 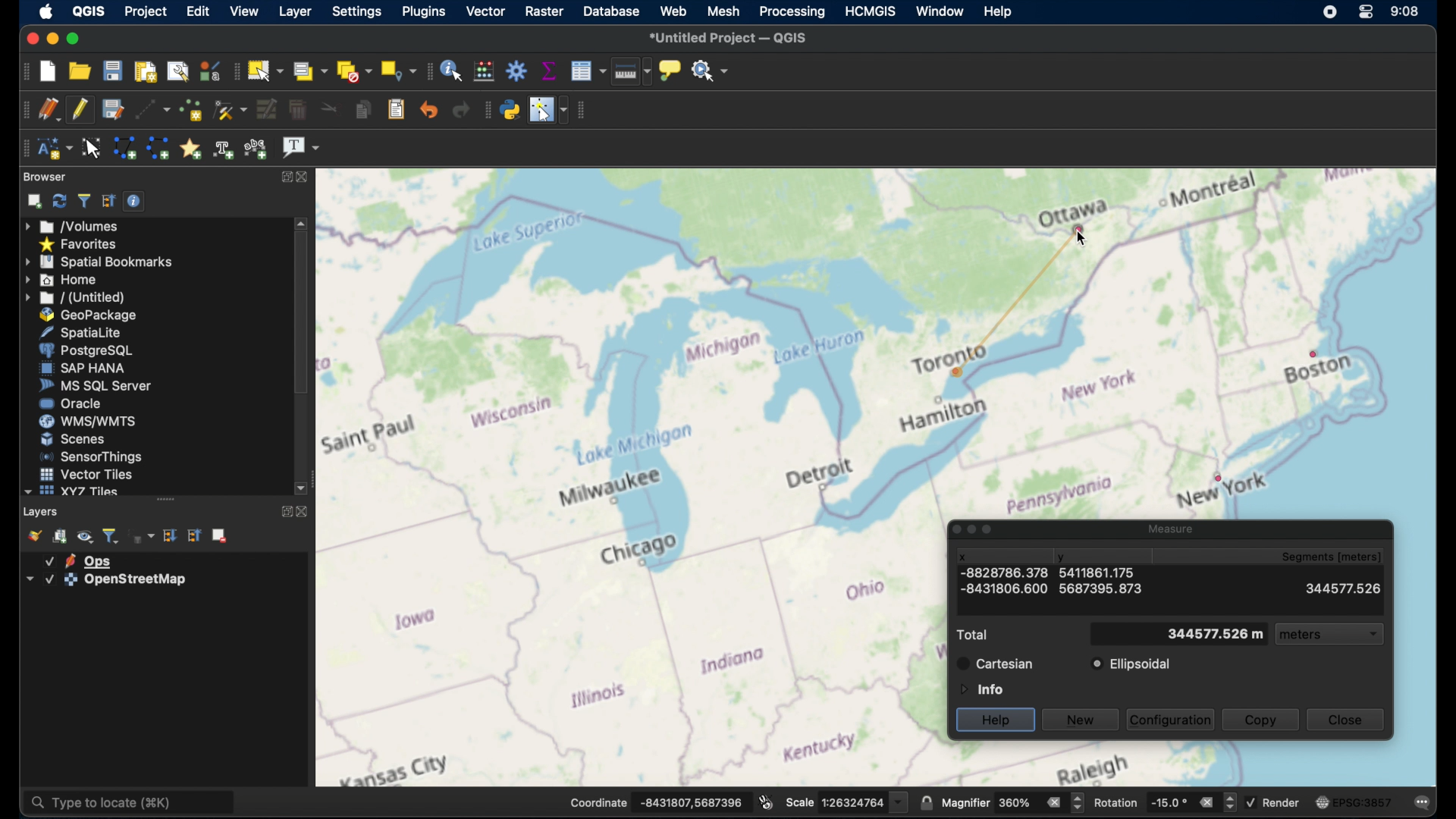 What do you see at coordinates (1082, 718) in the screenshot?
I see `new` at bounding box center [1082, 718].